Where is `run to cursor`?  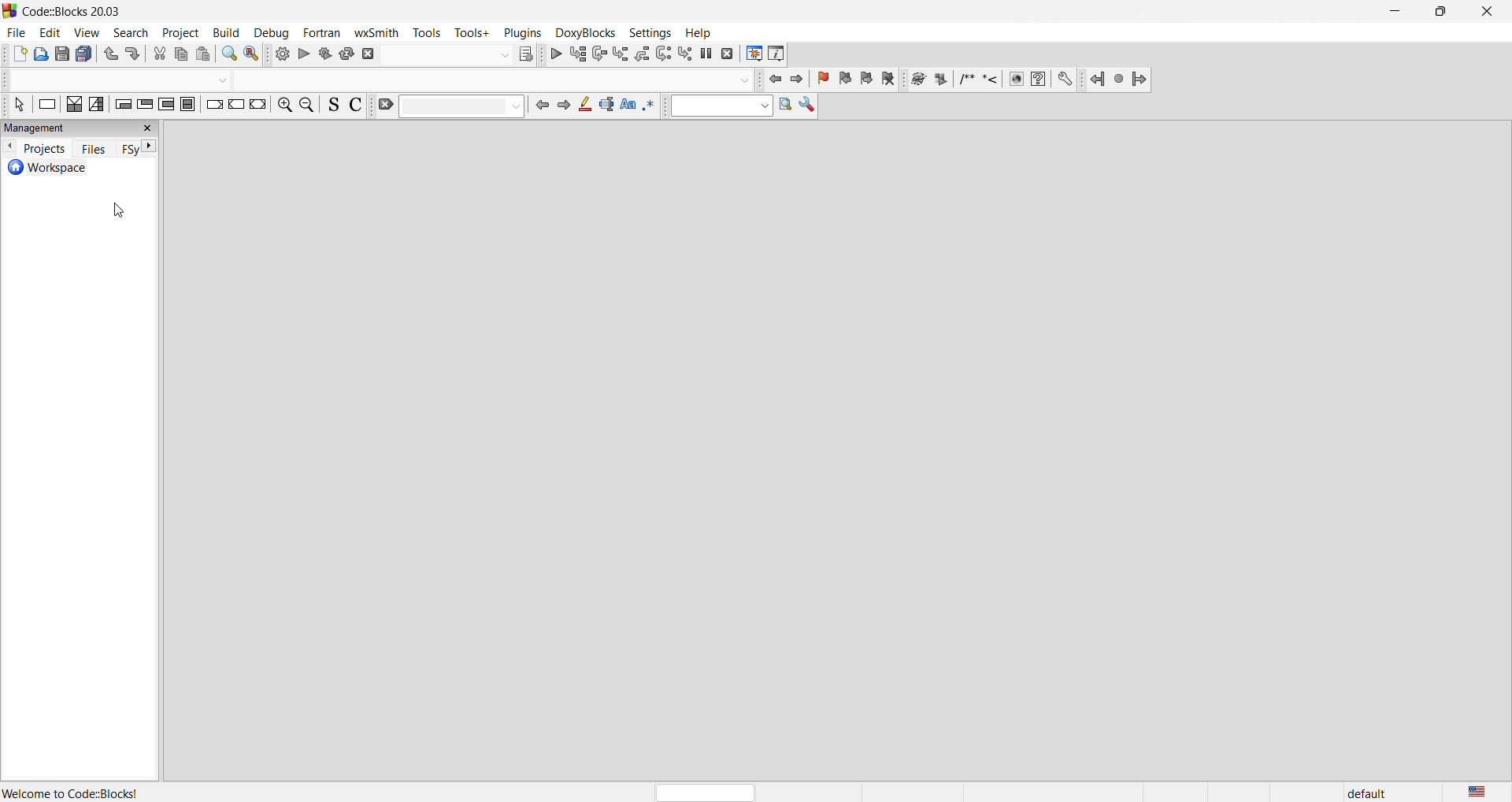 run to cursor is located at coordinates (577, 56).